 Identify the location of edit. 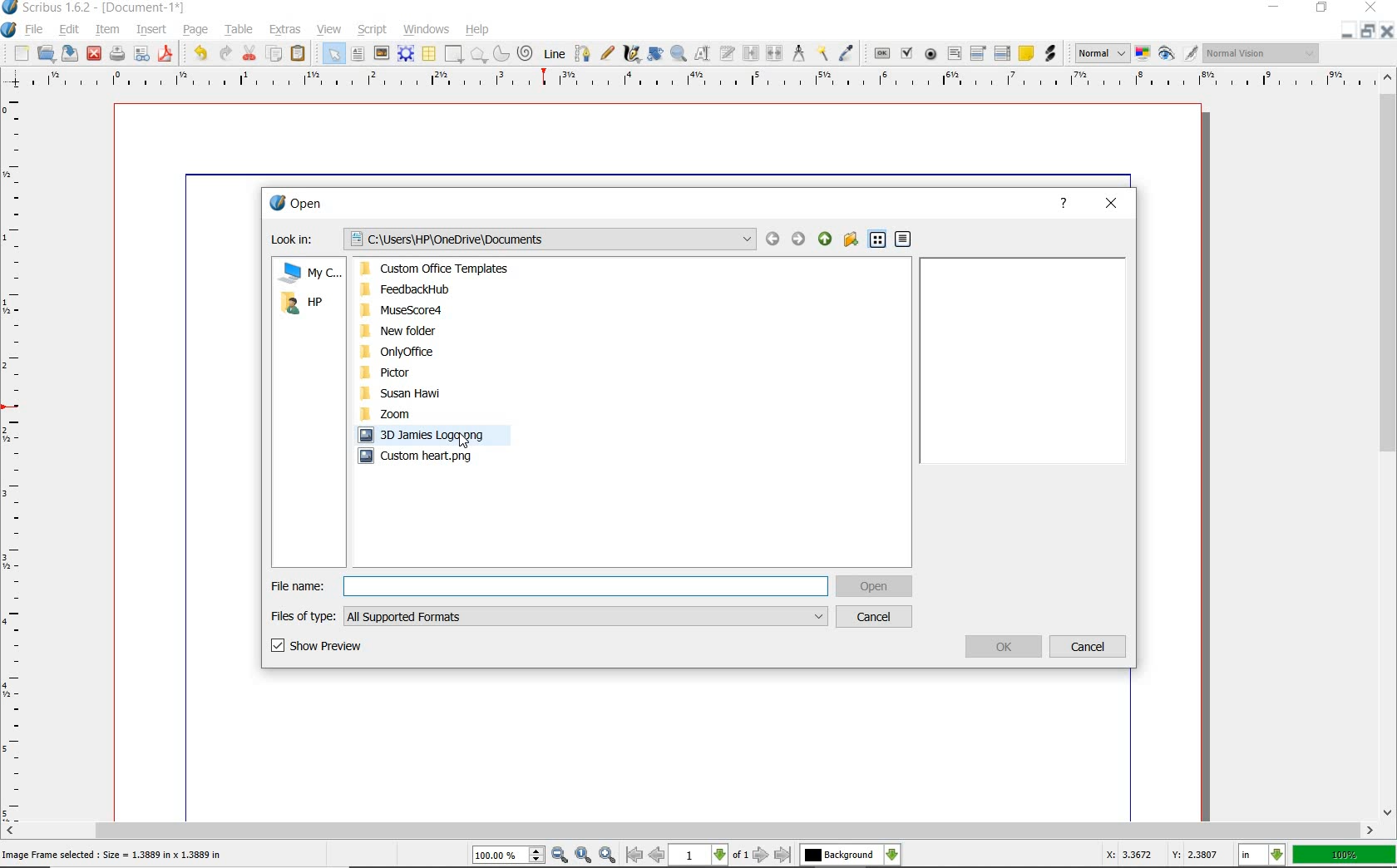
(70, 30).